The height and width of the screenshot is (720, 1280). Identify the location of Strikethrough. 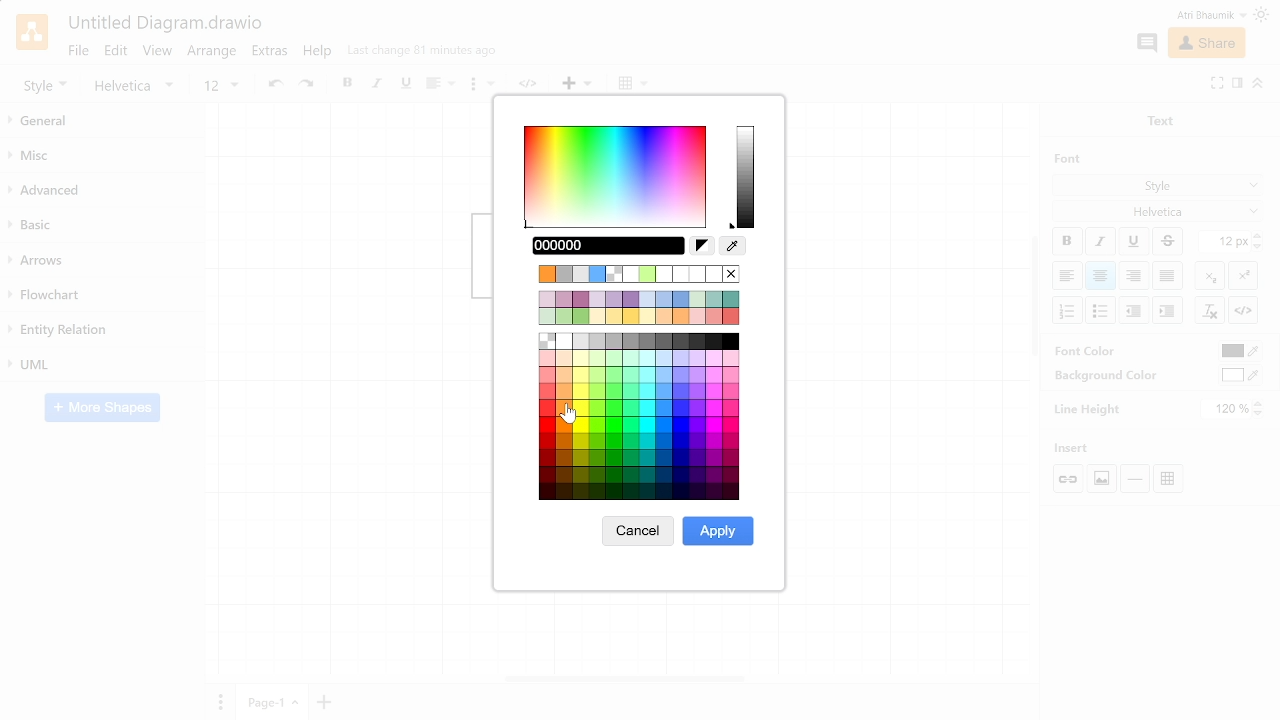
(1168, 241).